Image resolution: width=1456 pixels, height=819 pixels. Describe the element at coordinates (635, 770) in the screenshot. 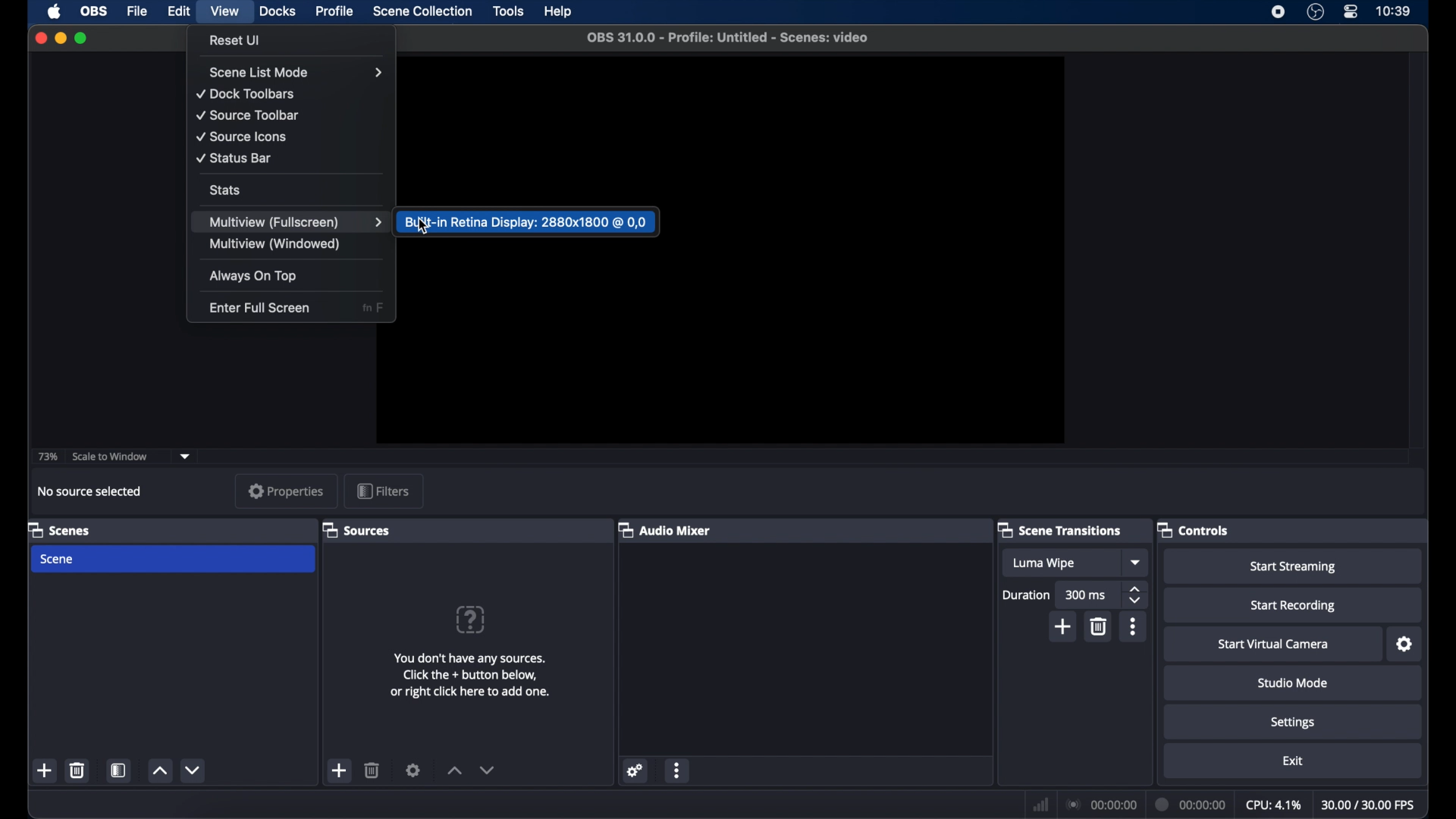

I see `settings` at that location.